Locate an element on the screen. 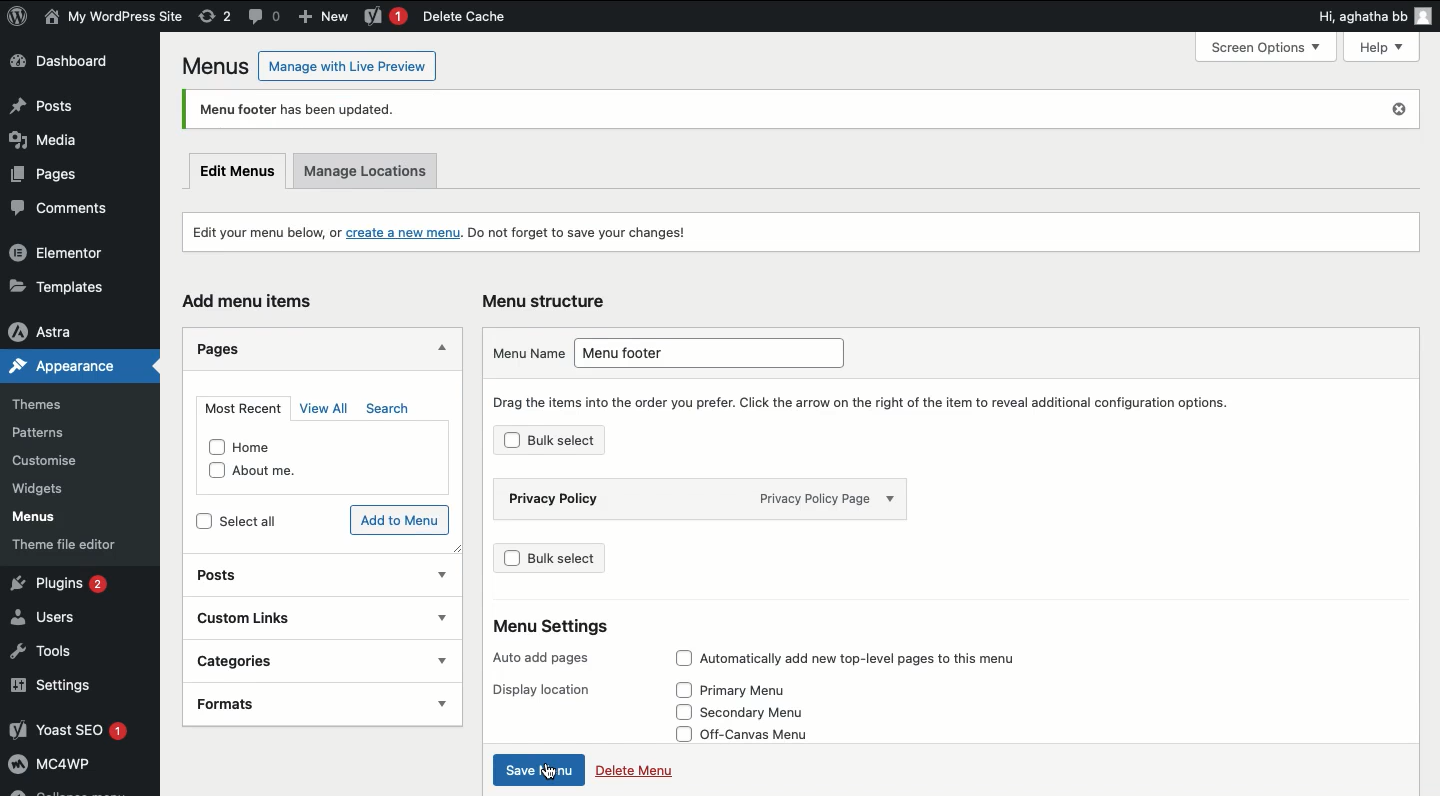 The height and width of the screenshot is (796, 1440). Posts is located at coordinates (74, 107).